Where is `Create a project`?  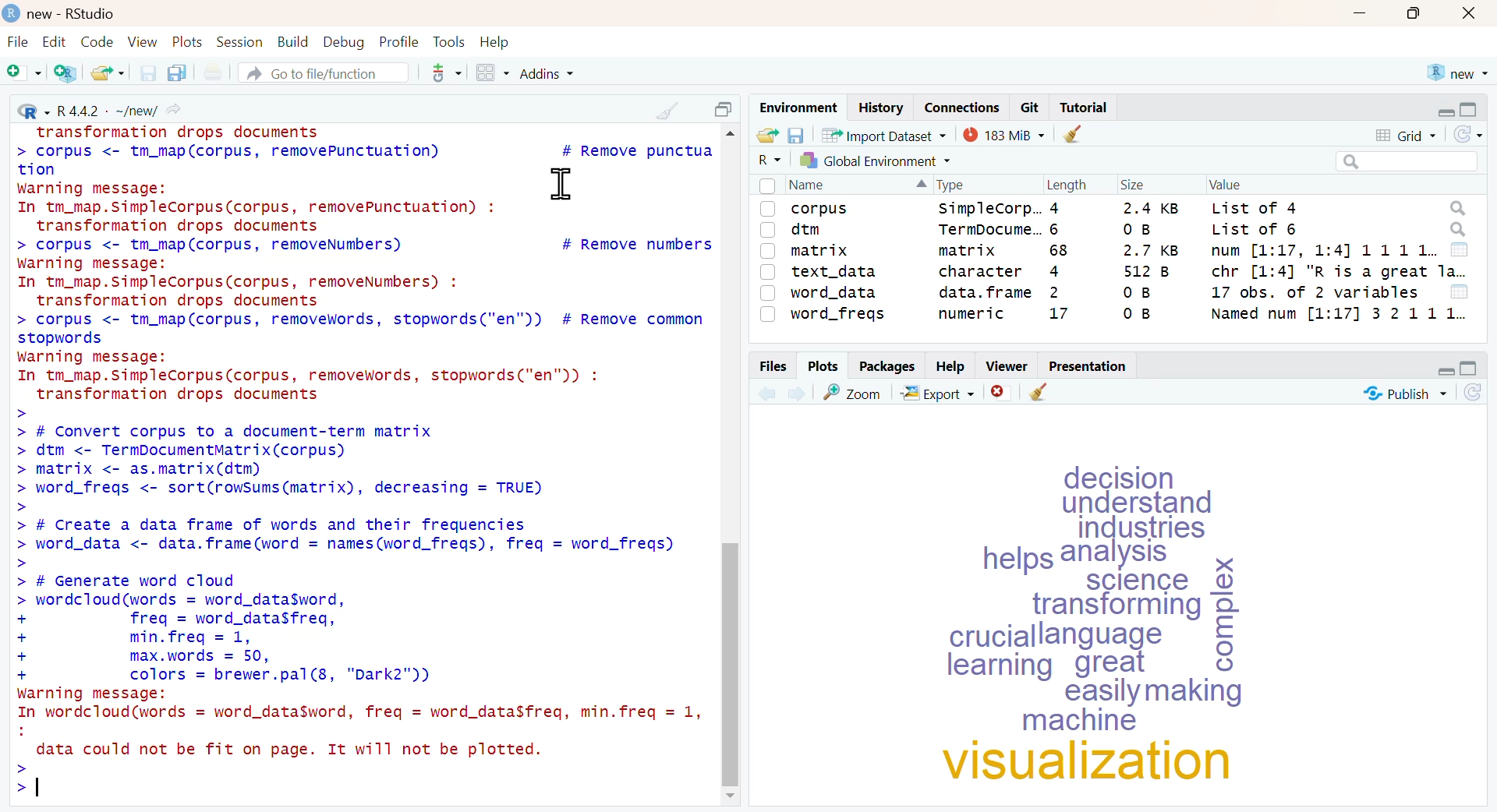 Create a project is located at coordinates (65, 73).